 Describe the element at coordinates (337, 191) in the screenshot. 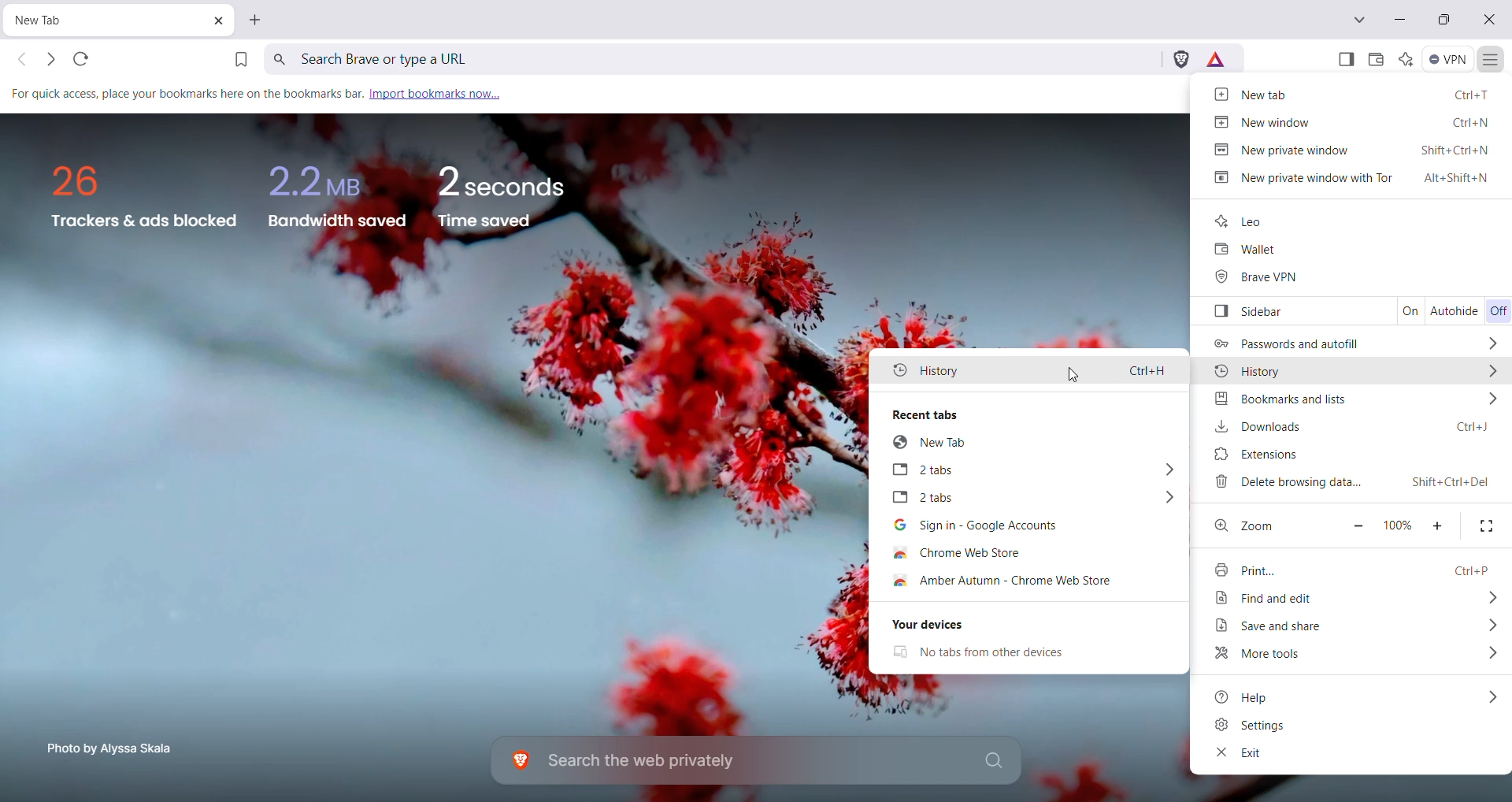

I see `2.2 MBB Bandwidth saved` at that location.